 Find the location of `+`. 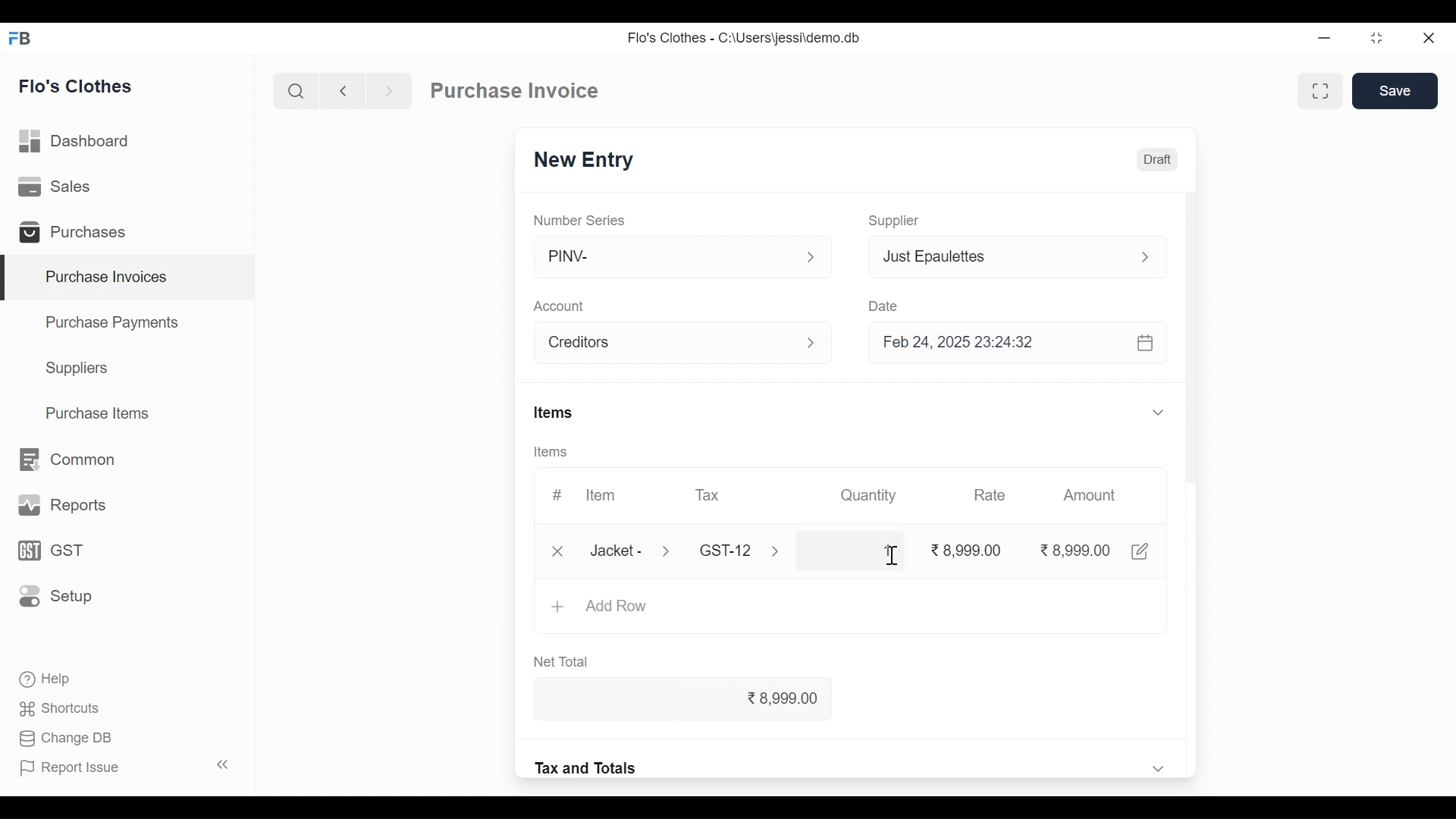

+ is located at coordinates (557, 608).